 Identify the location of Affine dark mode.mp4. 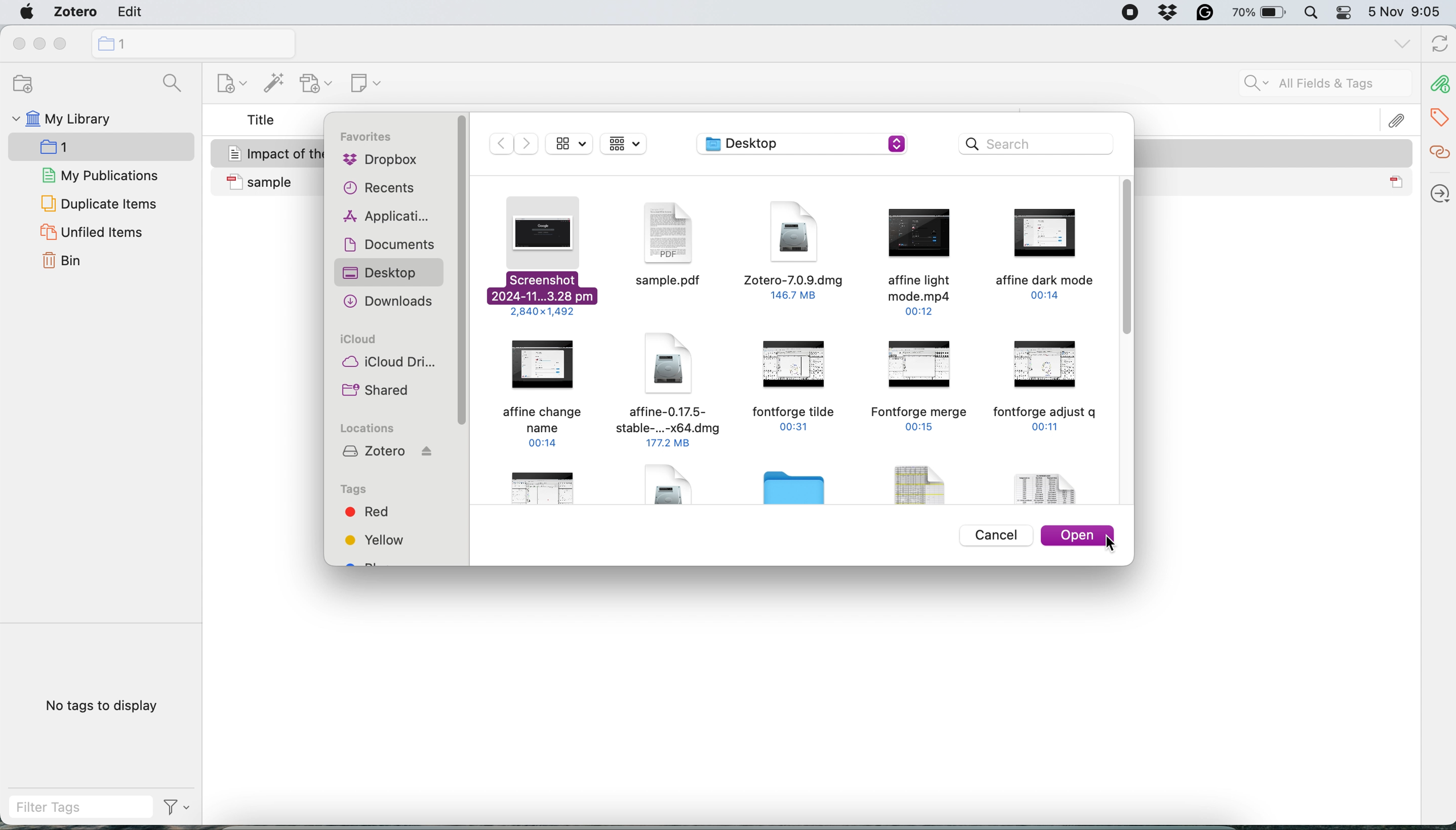
(1040, 255).